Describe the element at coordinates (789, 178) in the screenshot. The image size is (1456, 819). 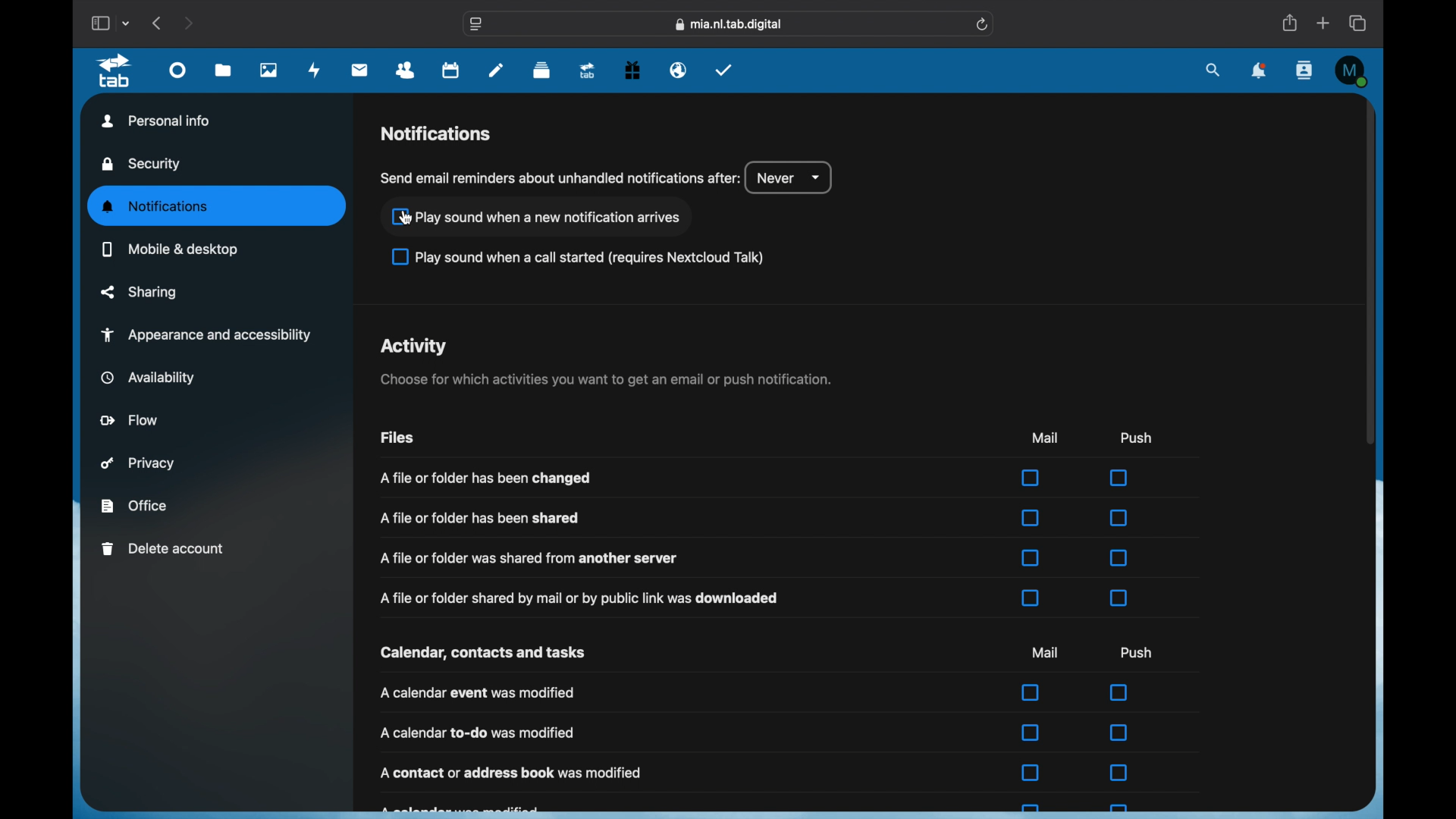
I see `never dropdown` at that location.